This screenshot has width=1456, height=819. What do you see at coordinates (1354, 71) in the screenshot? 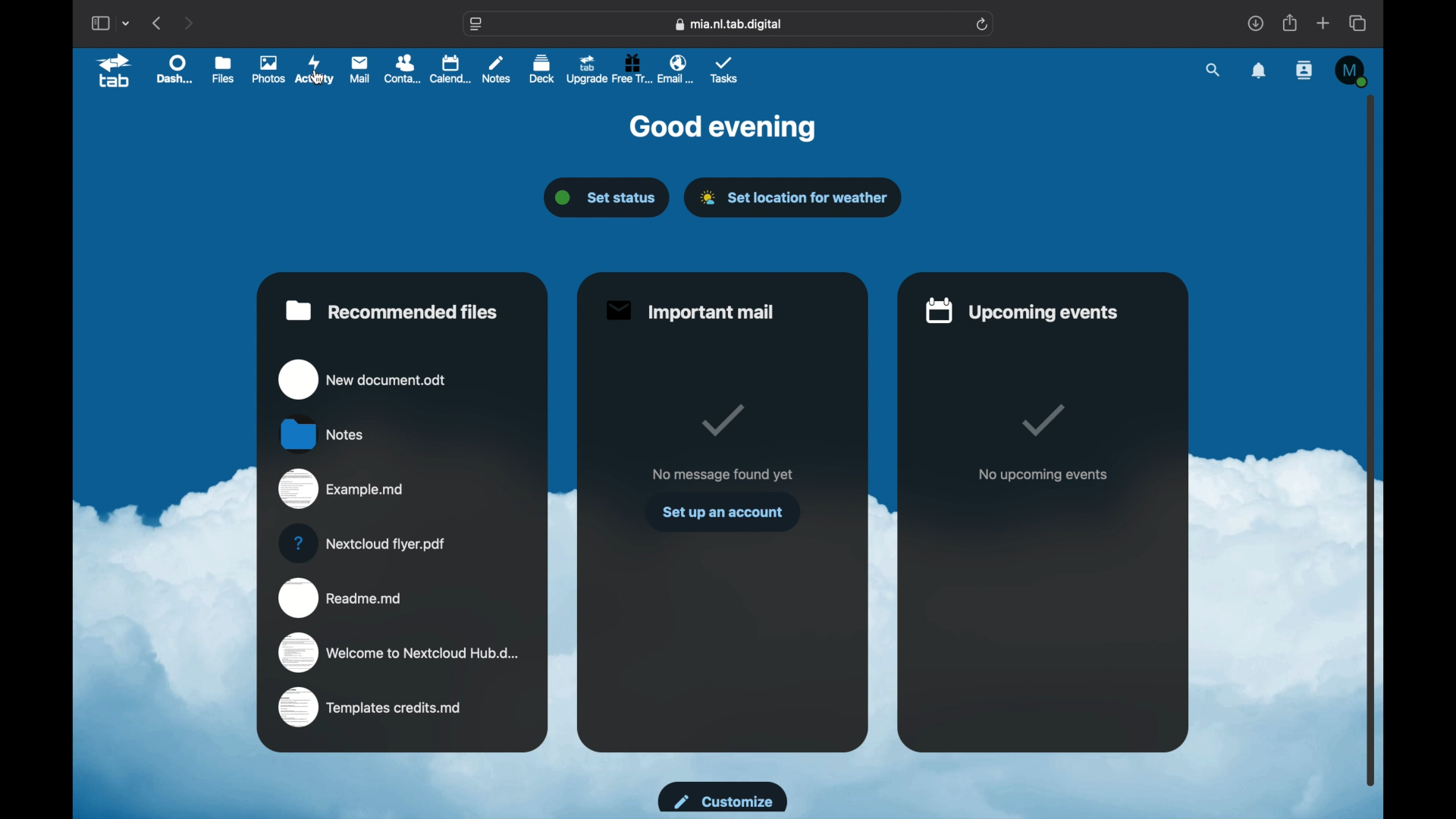
I see `M` at bounding box center [1354, 71].